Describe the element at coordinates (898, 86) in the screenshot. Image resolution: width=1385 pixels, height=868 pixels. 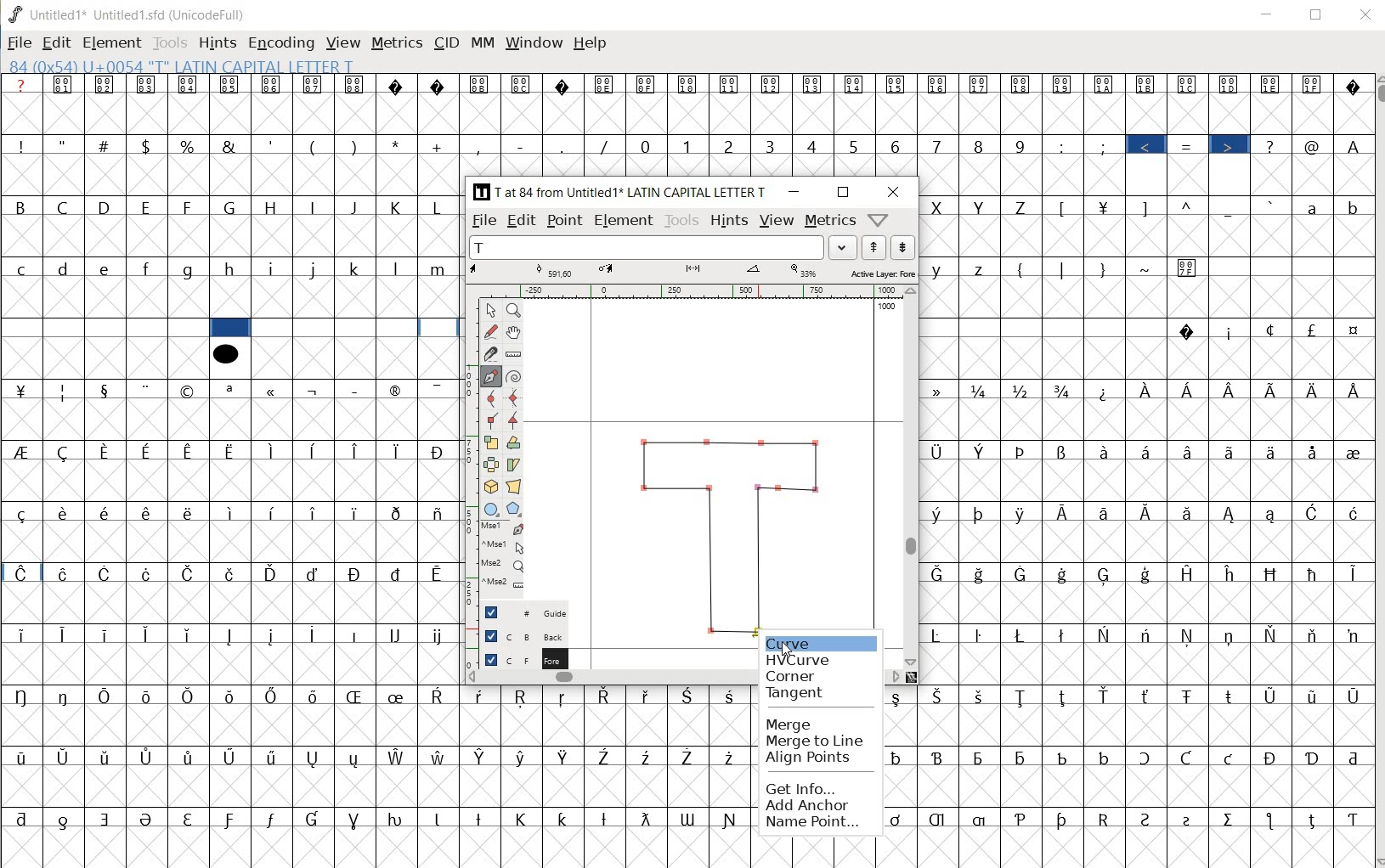
I see `Symbol` at that location.